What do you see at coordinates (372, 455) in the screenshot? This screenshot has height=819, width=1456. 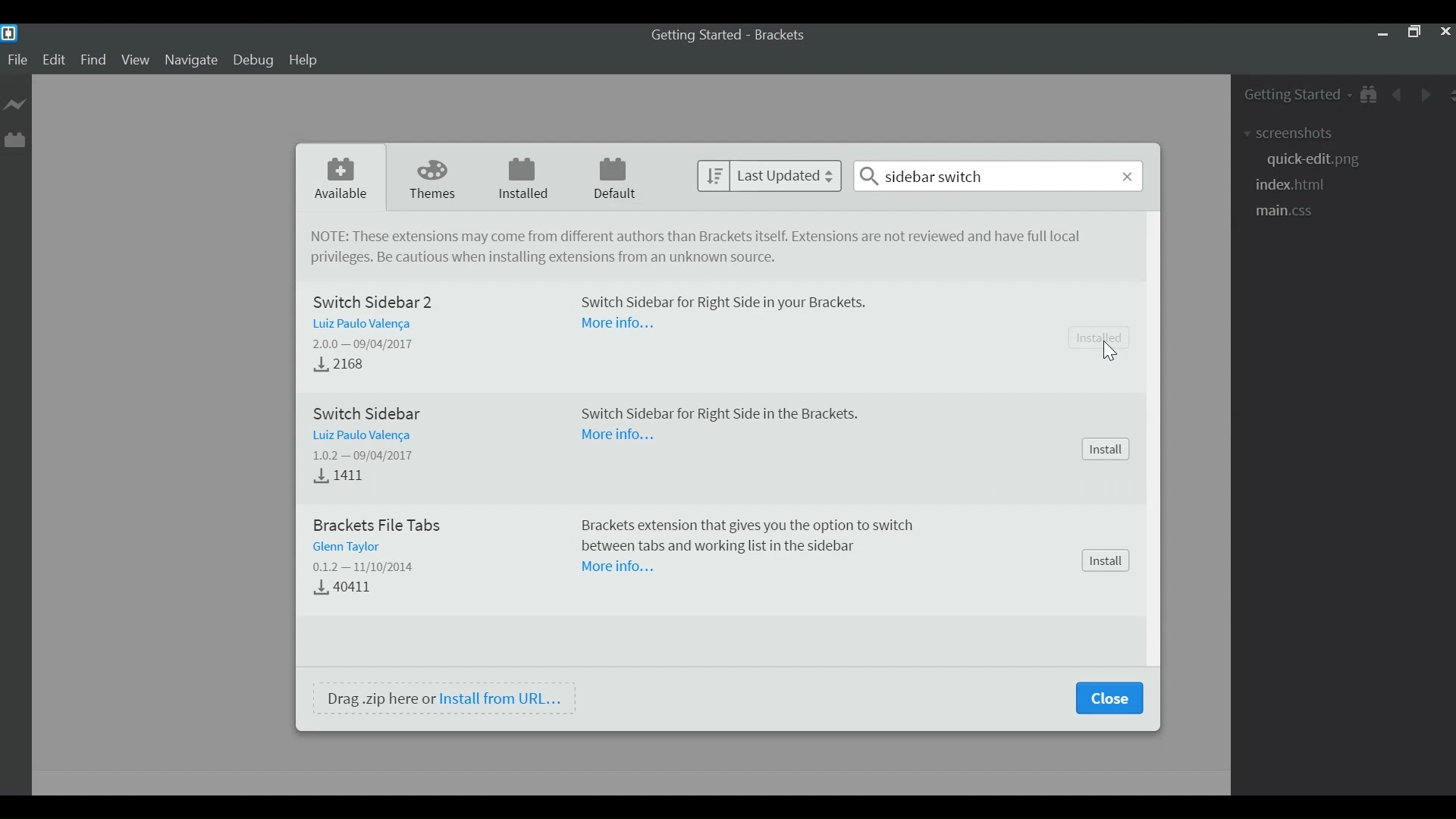 I see `Version - Released Dtae` at bounding box center [372, 455].